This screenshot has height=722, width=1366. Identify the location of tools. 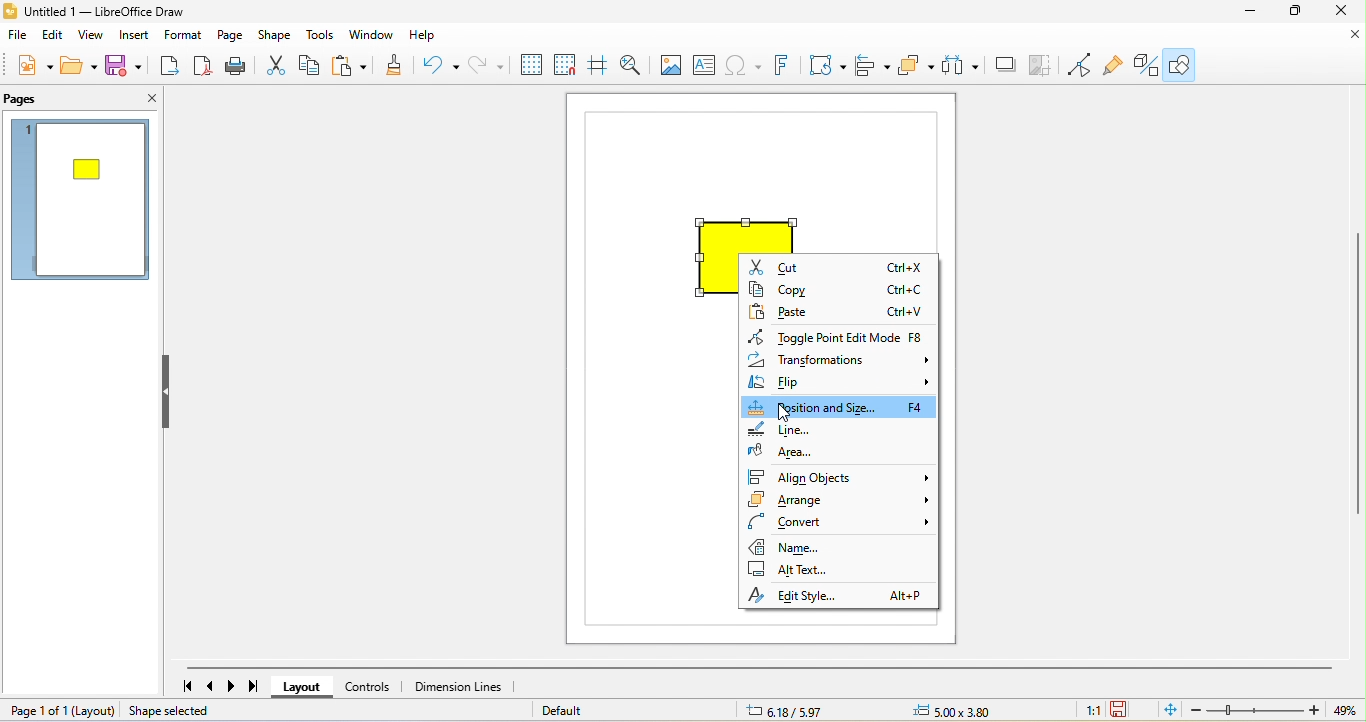
(321, 36).